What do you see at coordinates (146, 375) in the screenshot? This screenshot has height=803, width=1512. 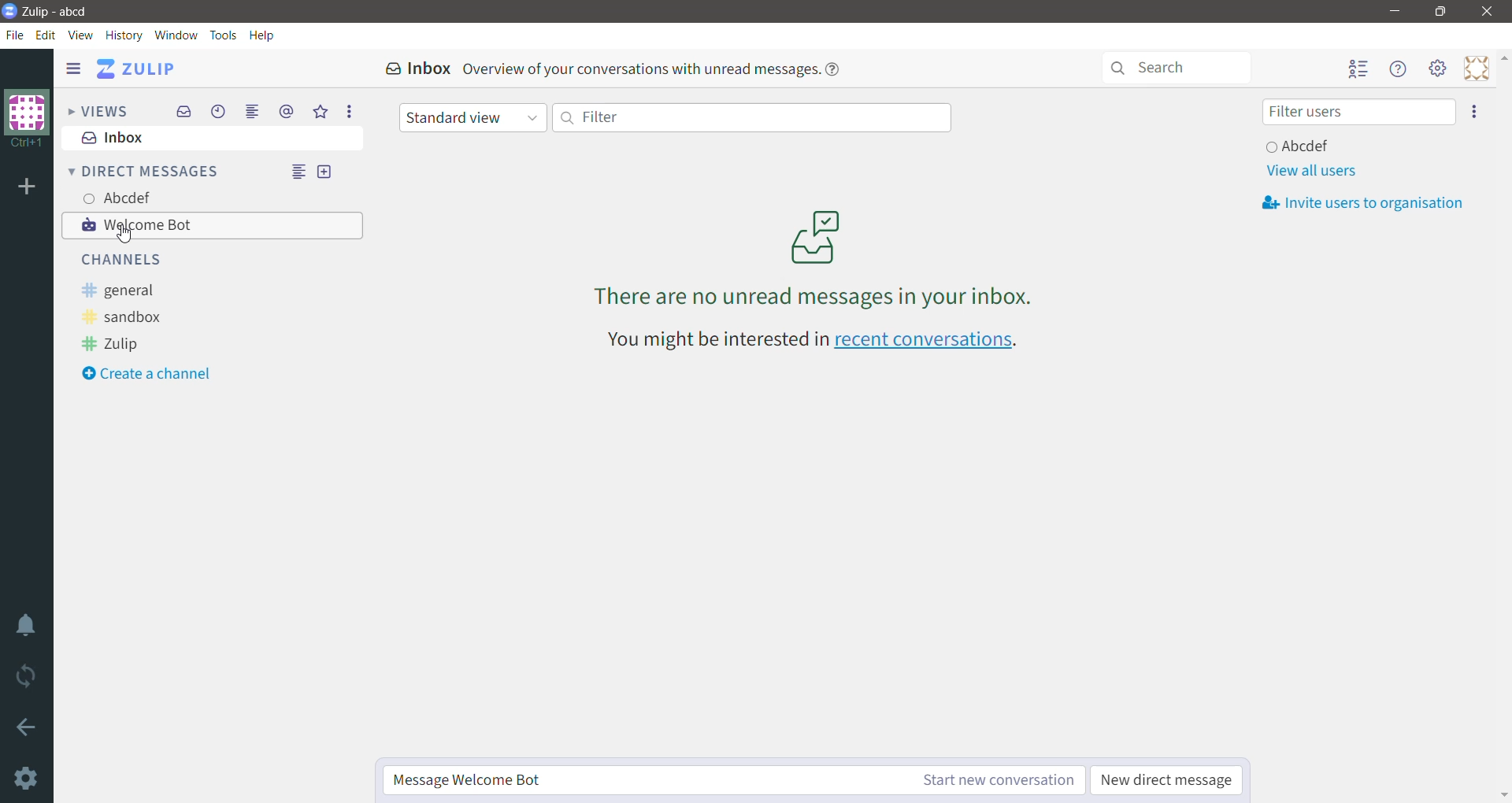 I see `Create a Channel` at bounding box center [146, 375].